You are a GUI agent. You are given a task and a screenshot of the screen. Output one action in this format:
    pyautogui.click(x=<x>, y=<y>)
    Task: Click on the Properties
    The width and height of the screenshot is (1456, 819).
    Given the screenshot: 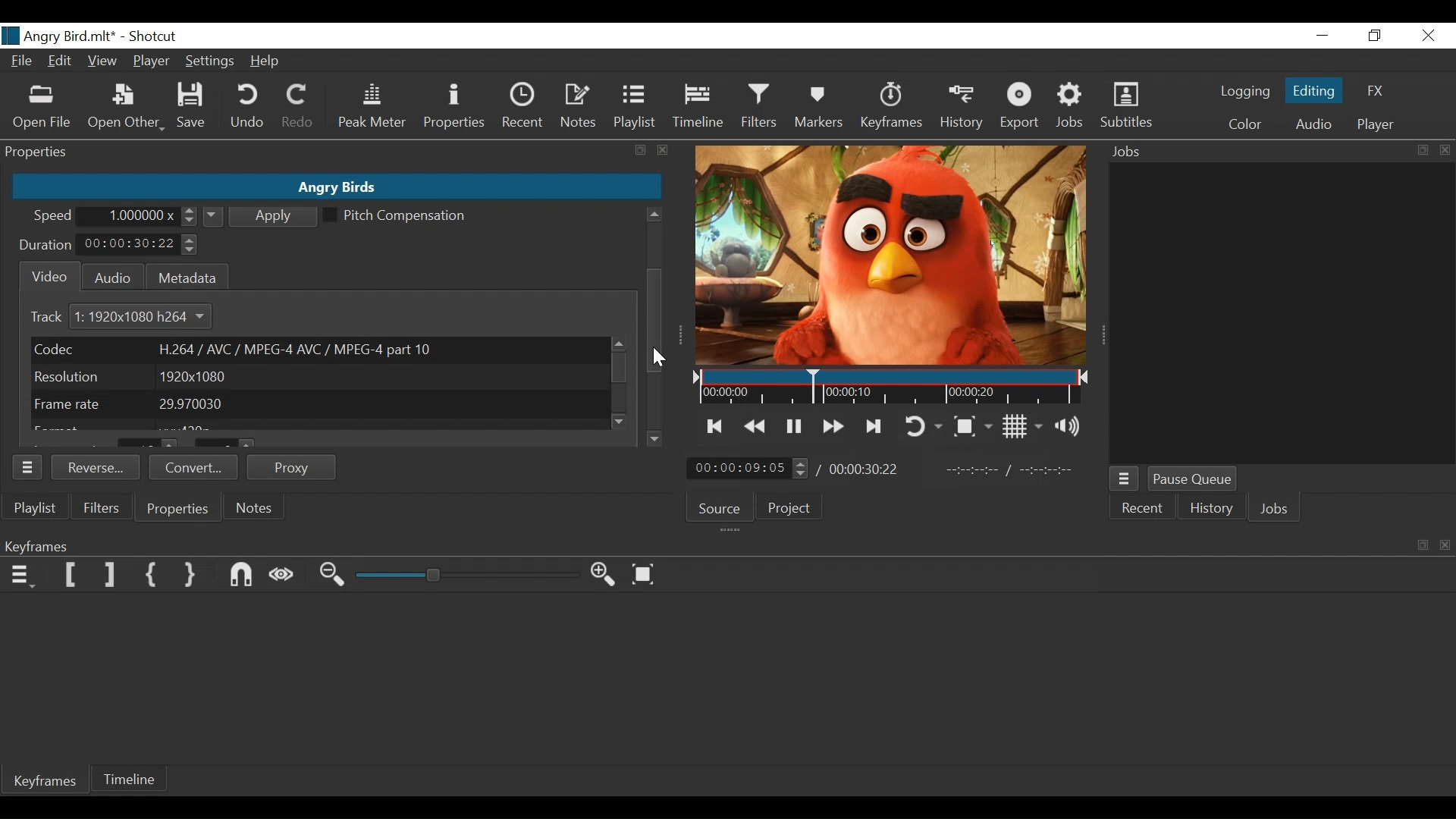 What is the action you would take?
    pyautogui.click(x=179, y=510)
    